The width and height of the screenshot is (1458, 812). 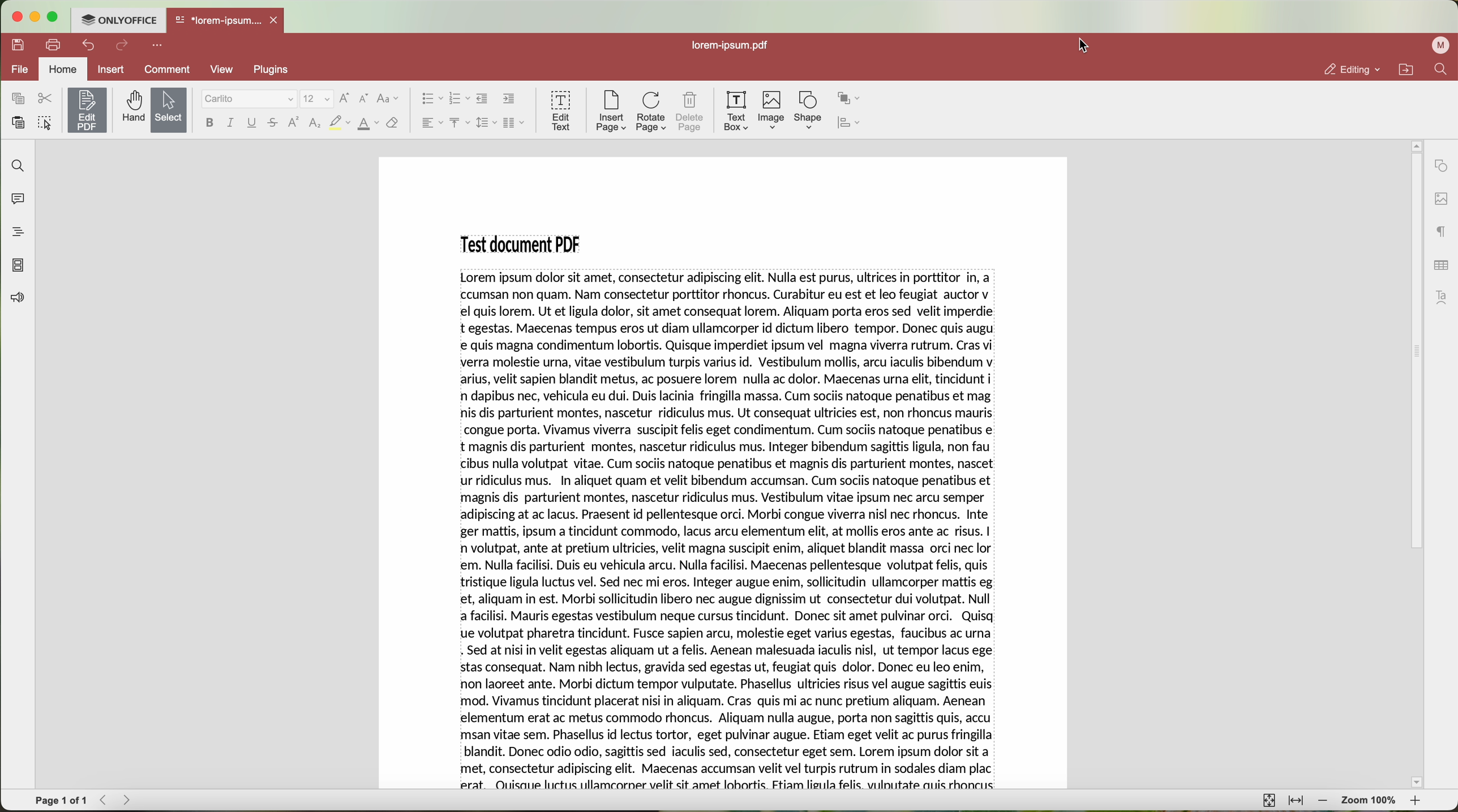 I want to click on home, so click(x=64, y=69).